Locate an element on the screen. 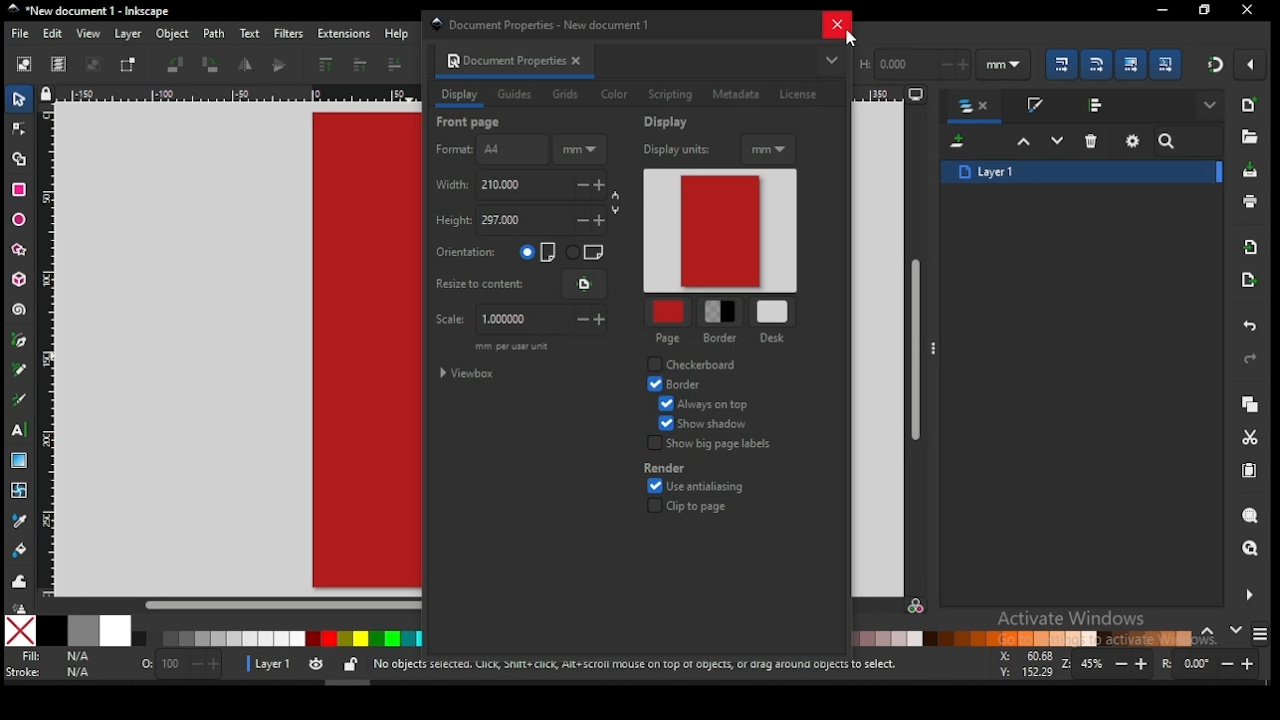  display is located at coordinates (669, 122).